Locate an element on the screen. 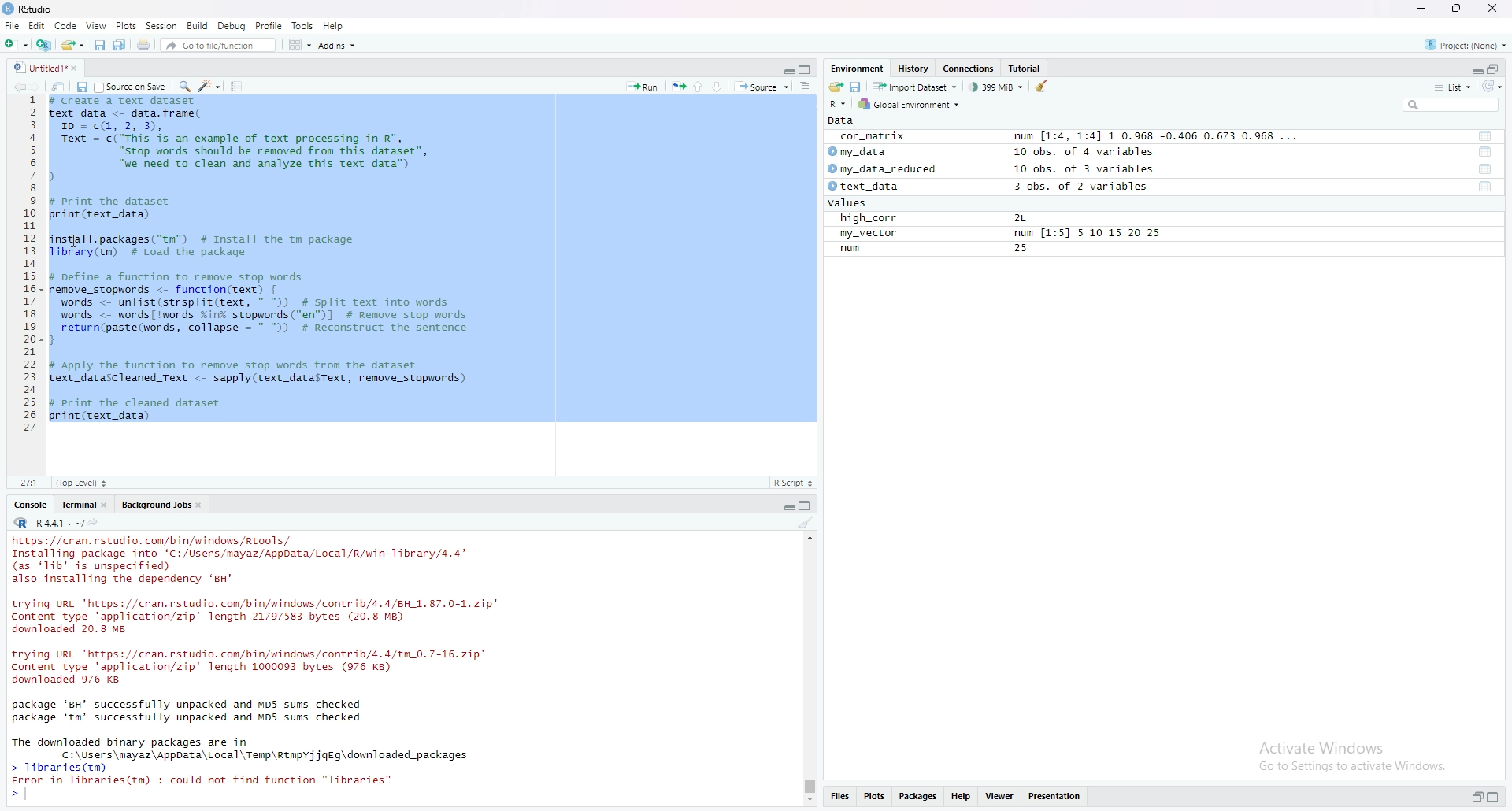  packages is located at coordinates (919, 796).